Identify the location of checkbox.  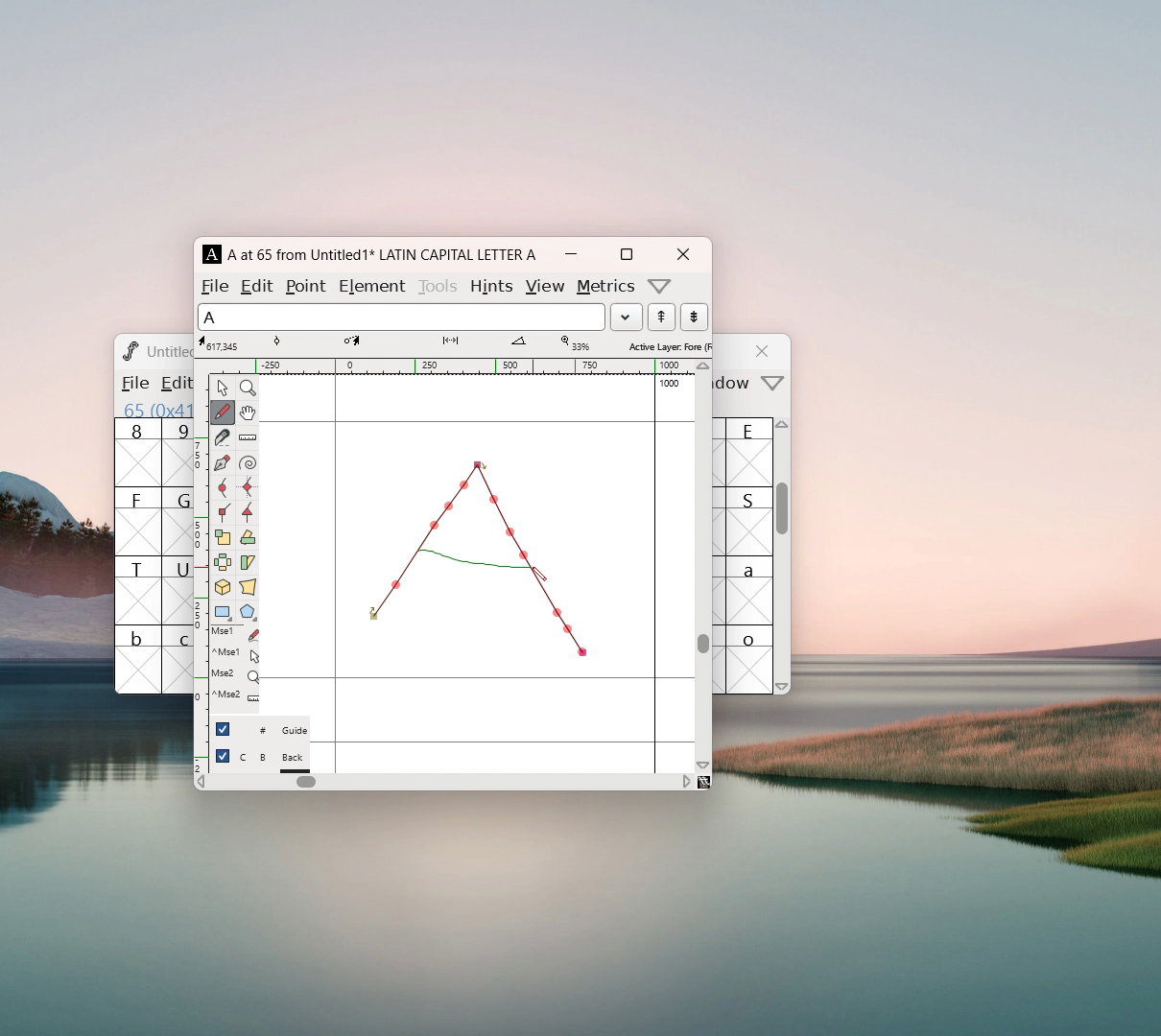
(223, 756).